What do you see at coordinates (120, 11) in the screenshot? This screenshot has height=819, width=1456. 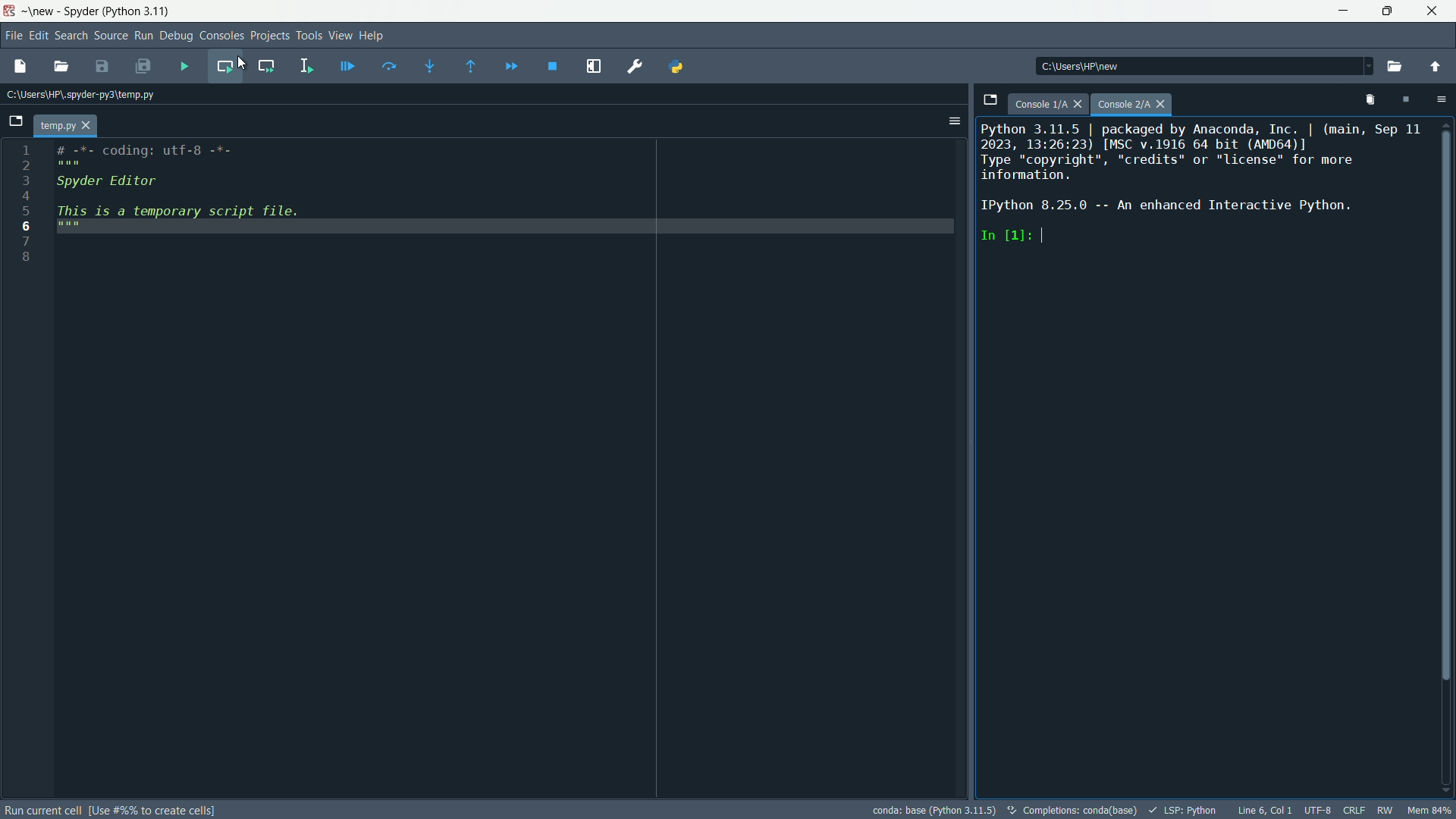 I see `Spyder (Python 3.11)` at bounding box center [120, 11].